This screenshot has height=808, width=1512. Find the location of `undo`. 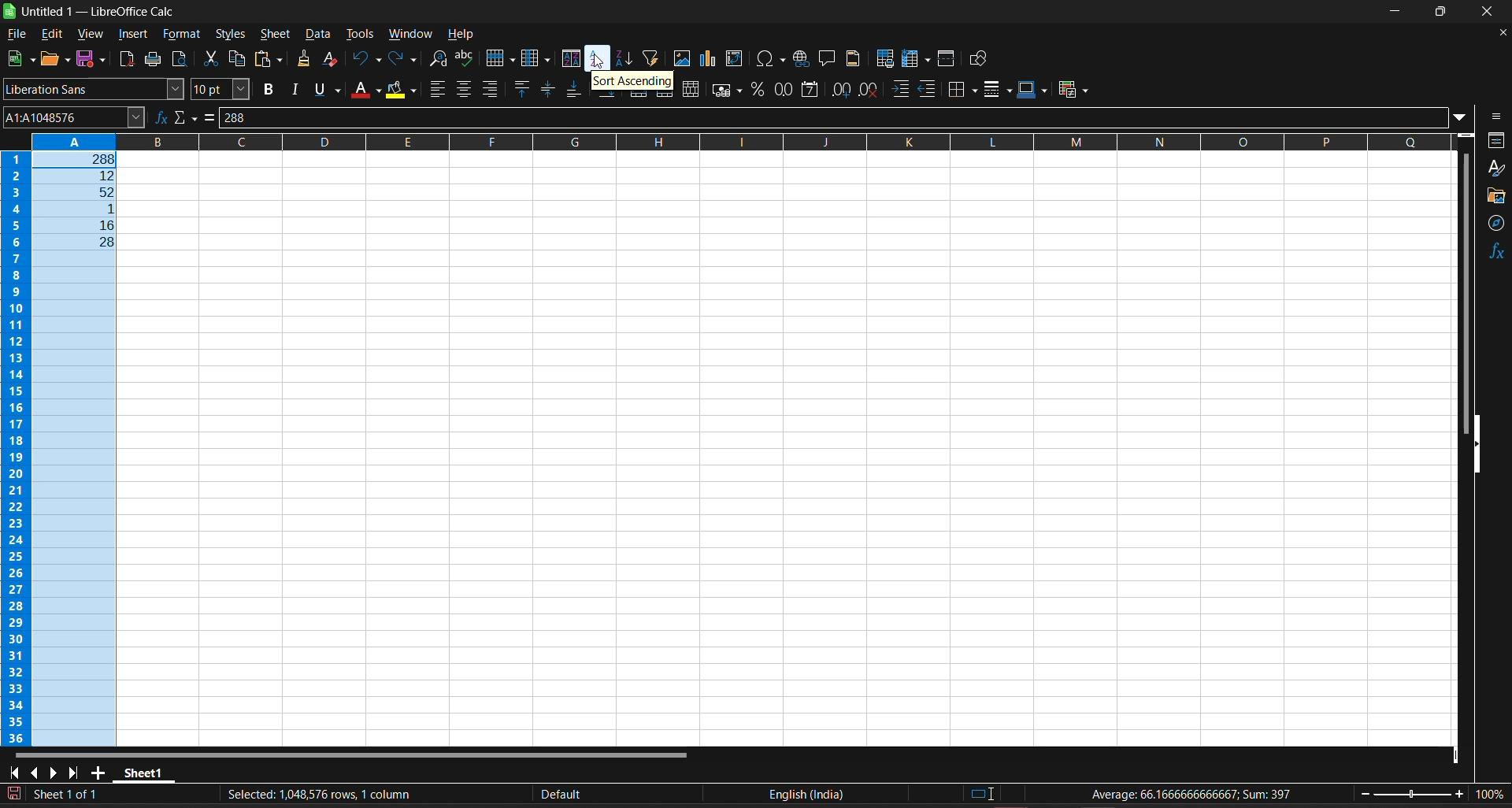

undo is located at coordinates (365, 61).